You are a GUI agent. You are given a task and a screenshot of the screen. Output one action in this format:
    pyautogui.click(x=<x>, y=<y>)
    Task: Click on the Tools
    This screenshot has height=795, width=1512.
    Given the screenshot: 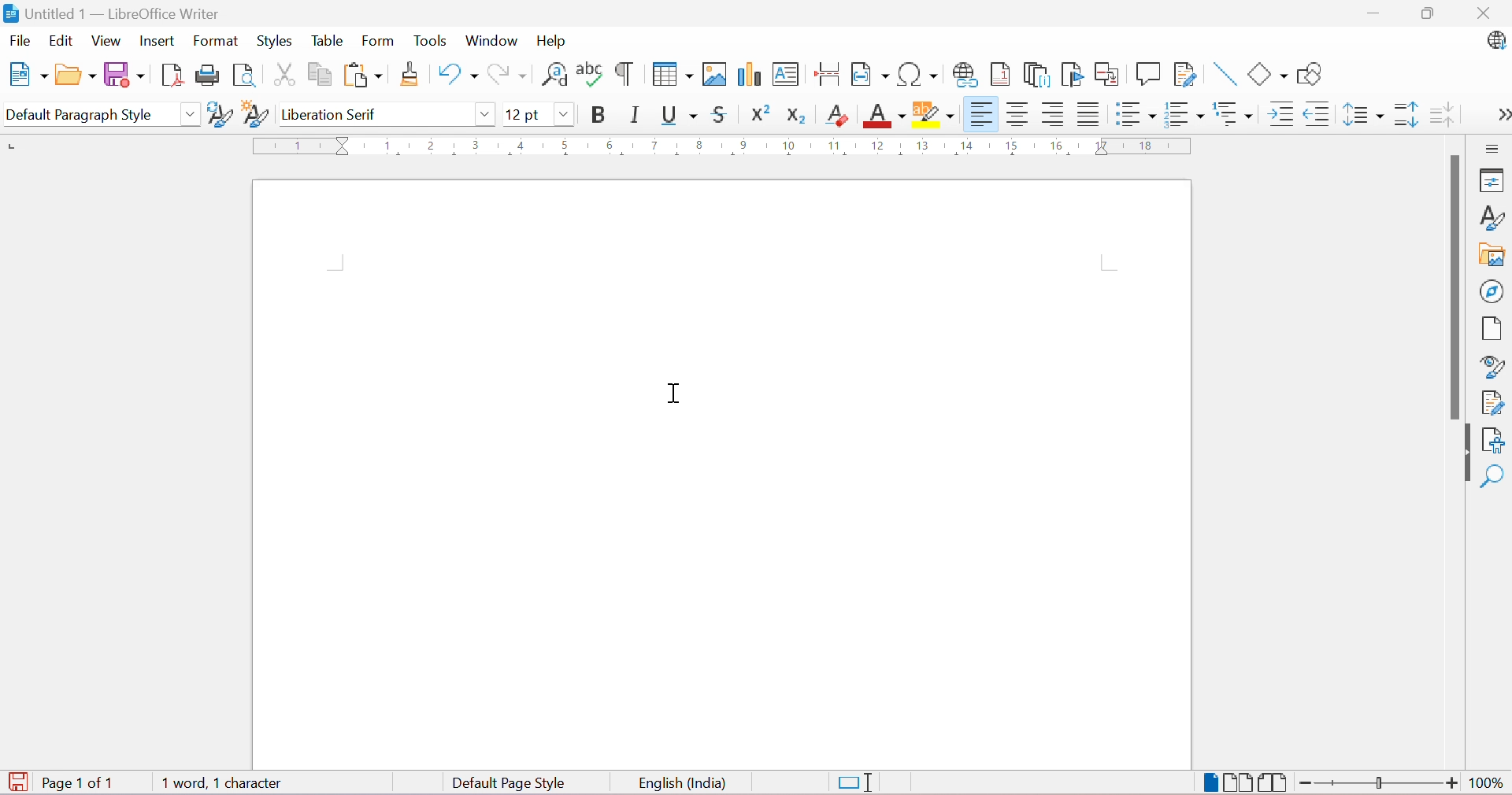 What is the action you would take?
    pyautogui.click(x=432, y=42)
    